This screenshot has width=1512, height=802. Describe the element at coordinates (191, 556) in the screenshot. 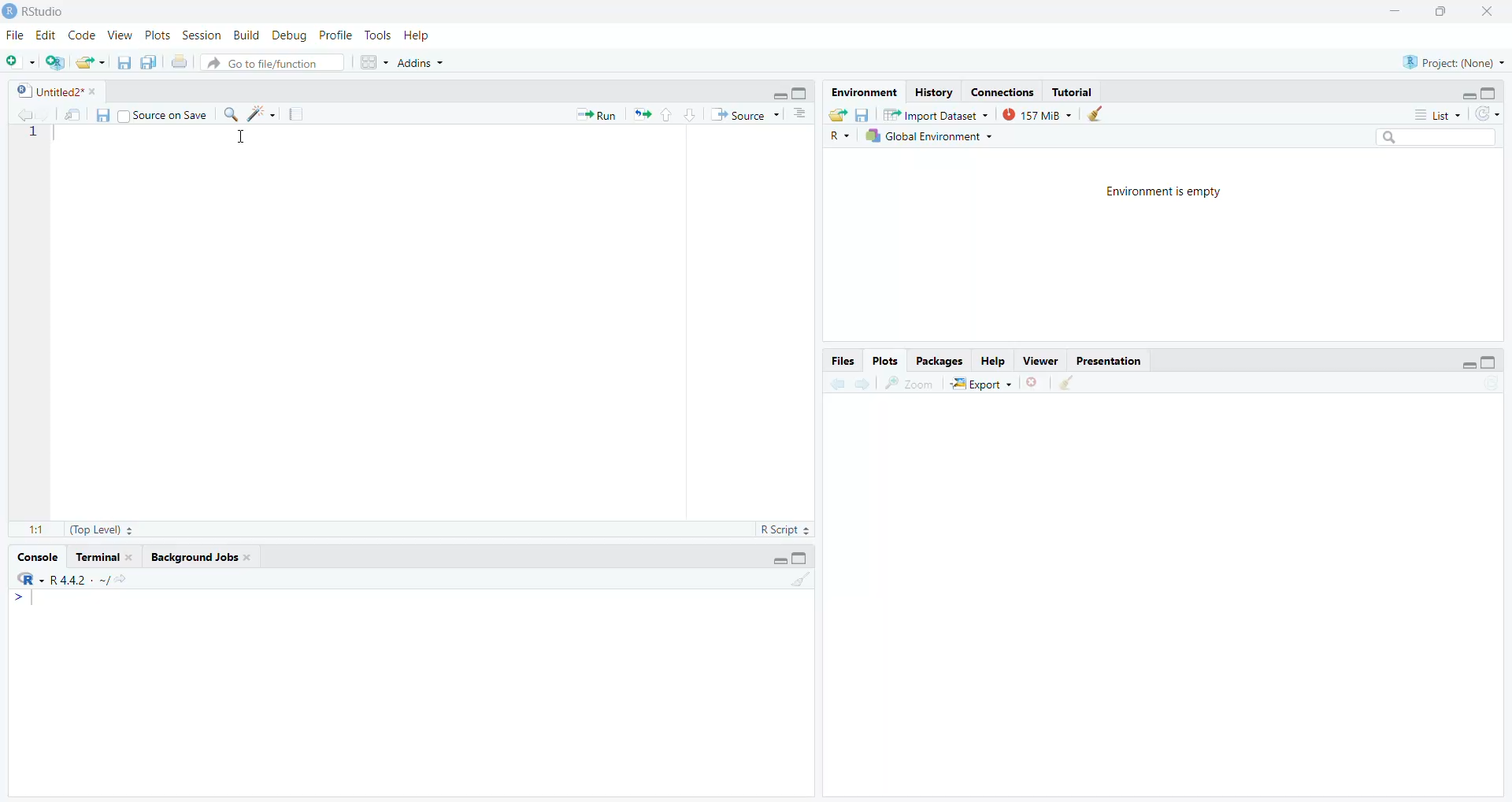

I see `Background Jobs` at that location.